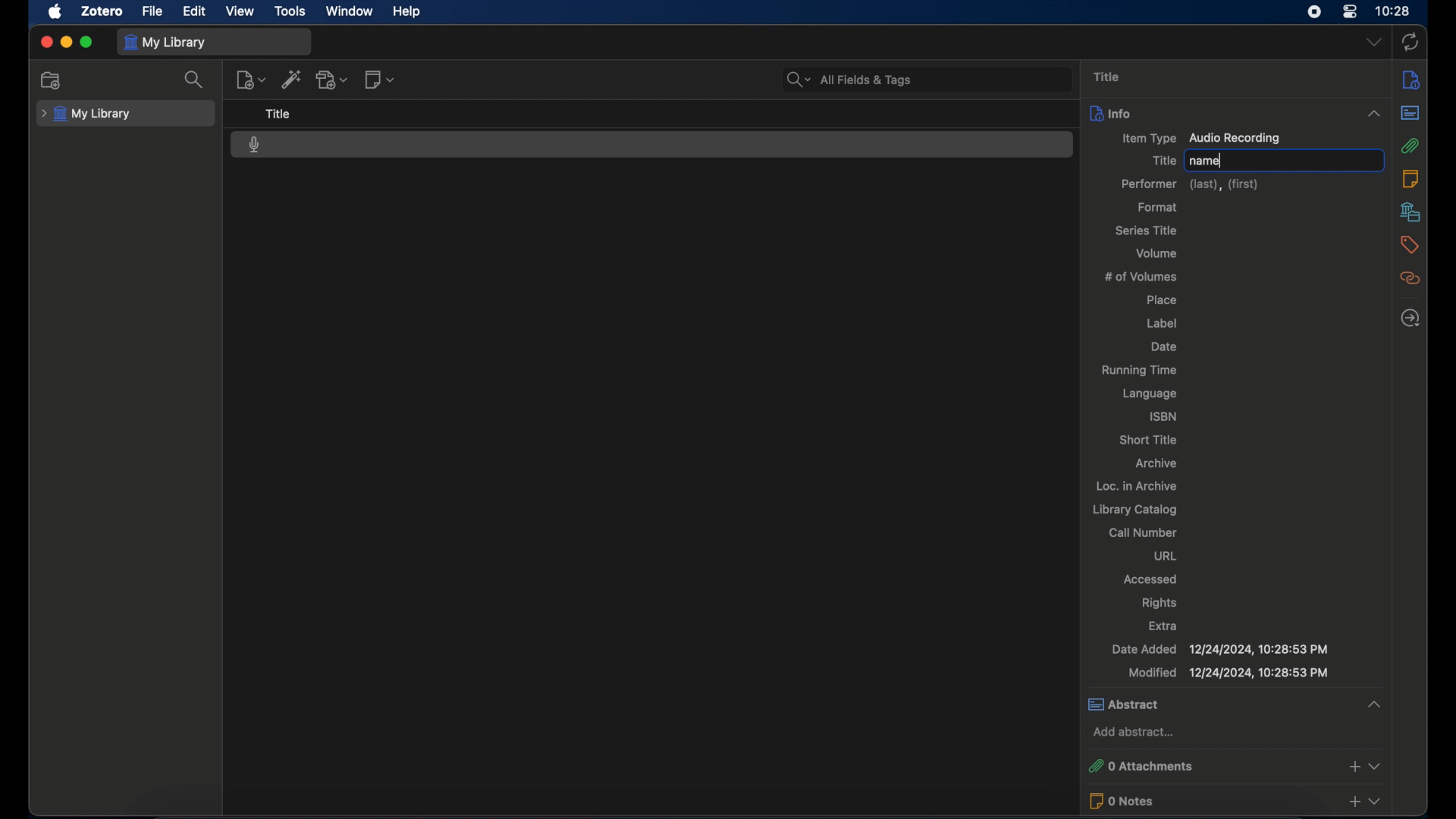 The image size is (1456, 819). What do you see at coordinates (1164, 347) in the screenshot?
I see `date` at bounding box center [1164, 347].